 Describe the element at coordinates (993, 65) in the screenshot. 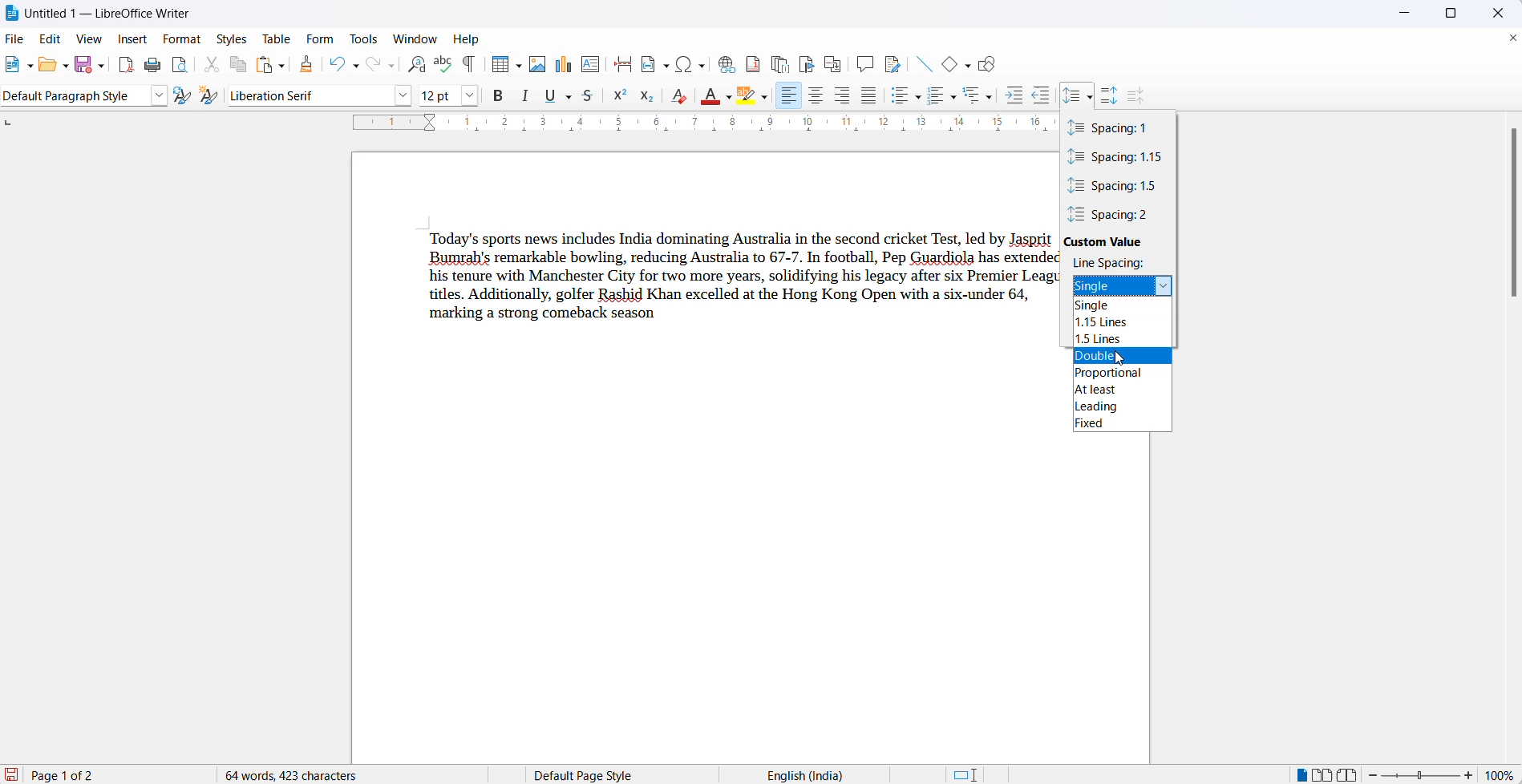

I see `show draw functions` at that location.